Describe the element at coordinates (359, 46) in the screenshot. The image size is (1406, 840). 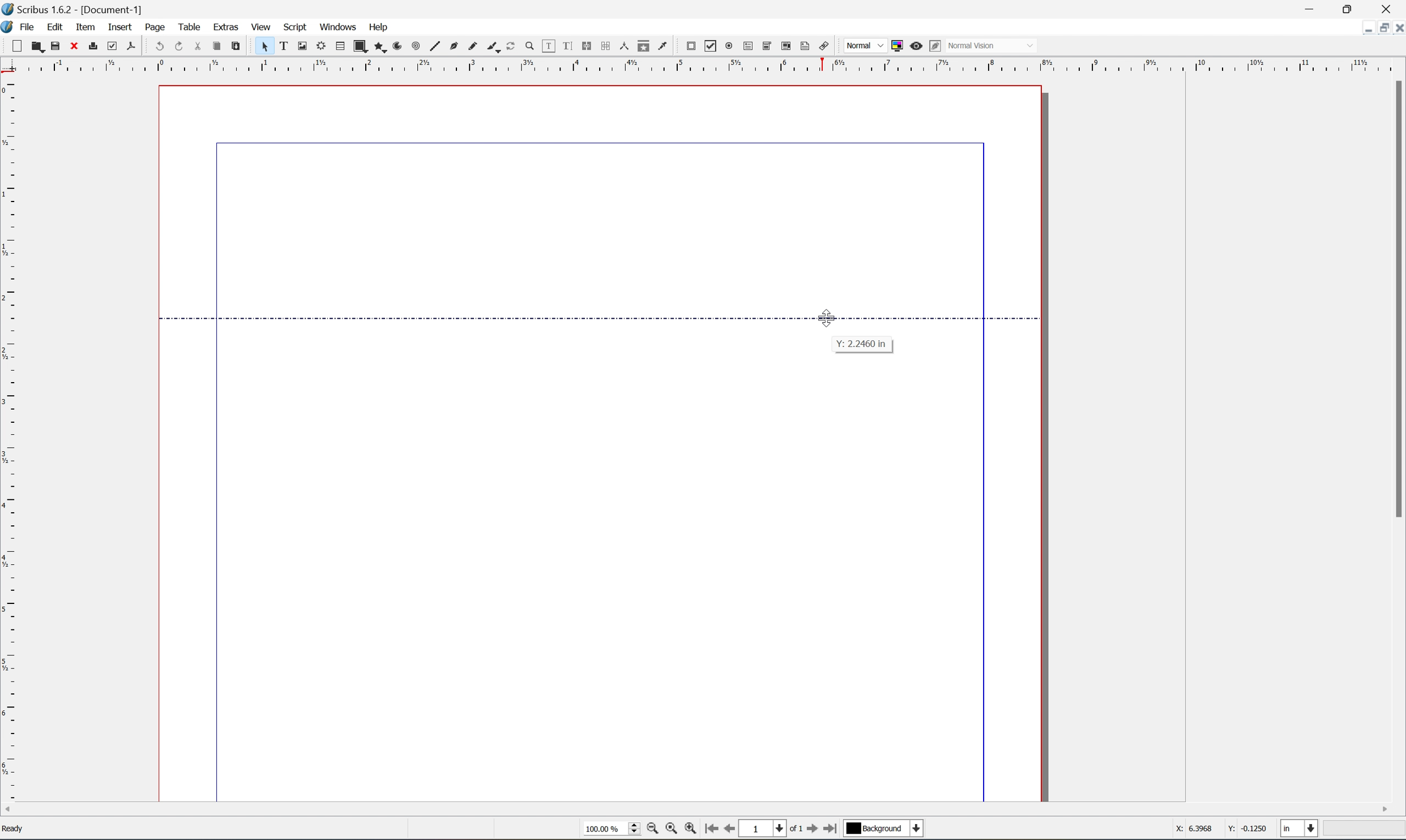
I see `shape` at that location.